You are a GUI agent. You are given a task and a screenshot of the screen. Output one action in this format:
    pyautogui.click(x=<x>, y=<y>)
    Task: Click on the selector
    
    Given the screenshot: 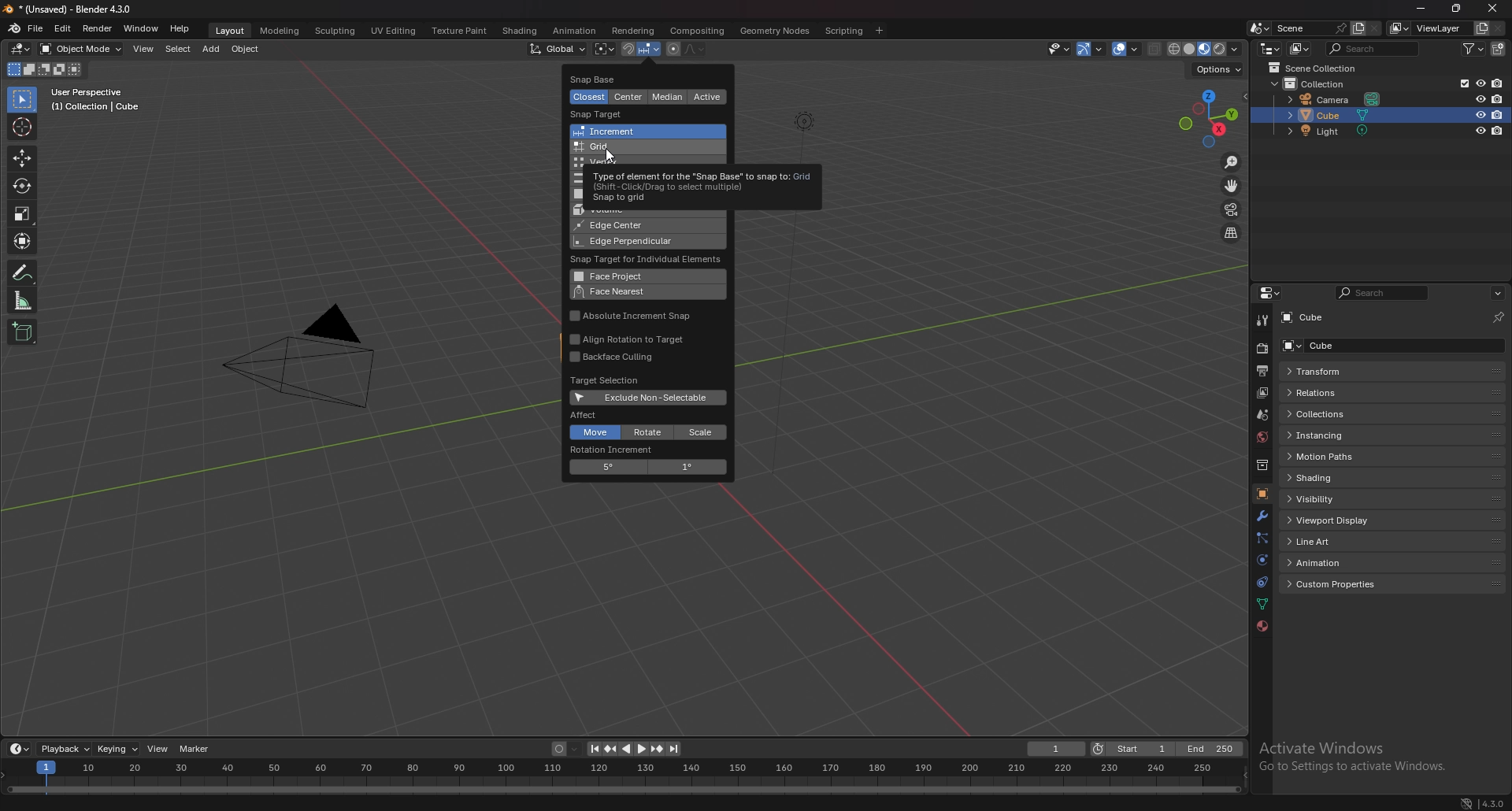 What is the action you would take?
    pyautogui.click(x=22, y=99)
    